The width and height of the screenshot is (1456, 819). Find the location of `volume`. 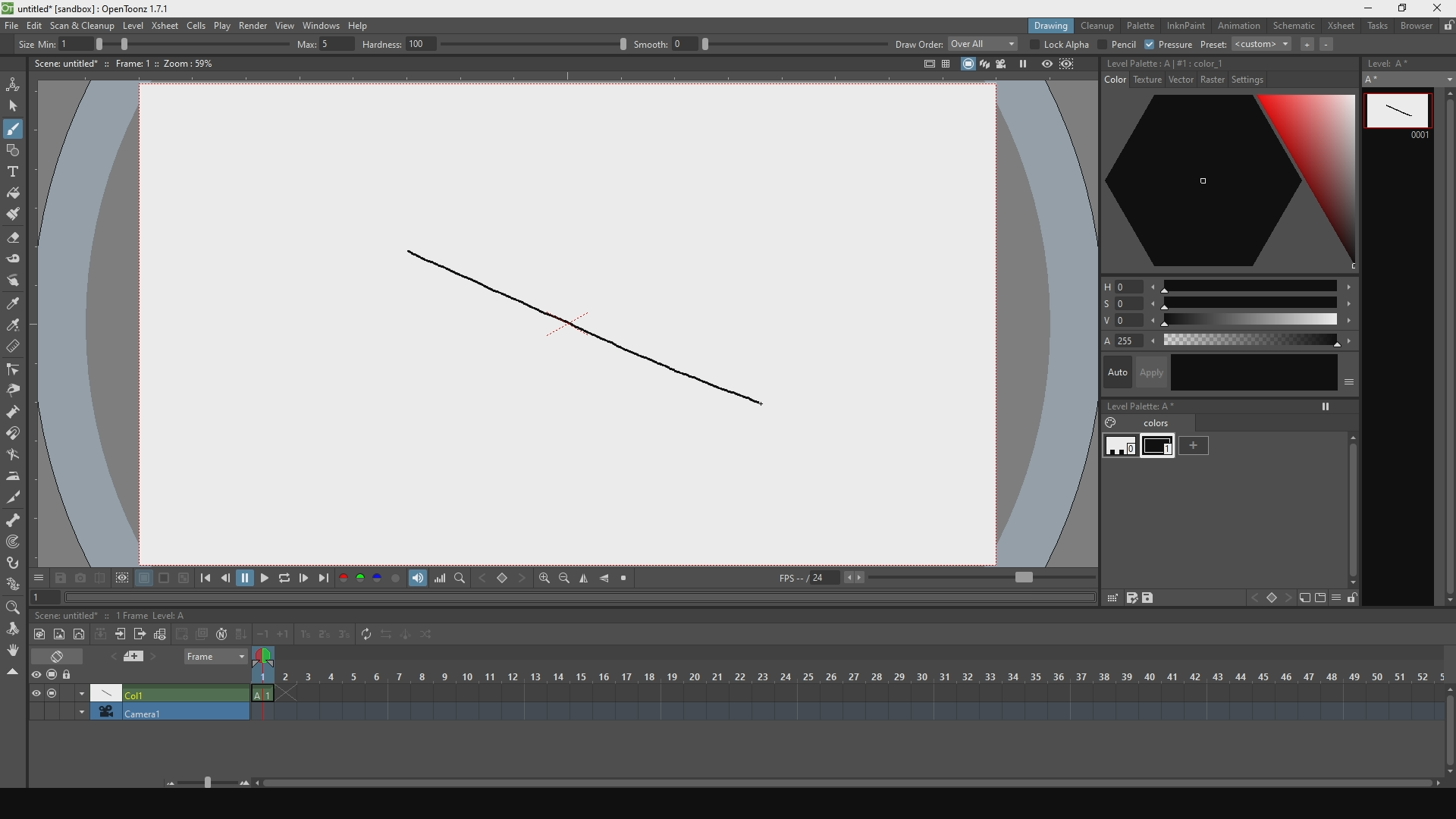

volume is located at coordinates (441, 578).